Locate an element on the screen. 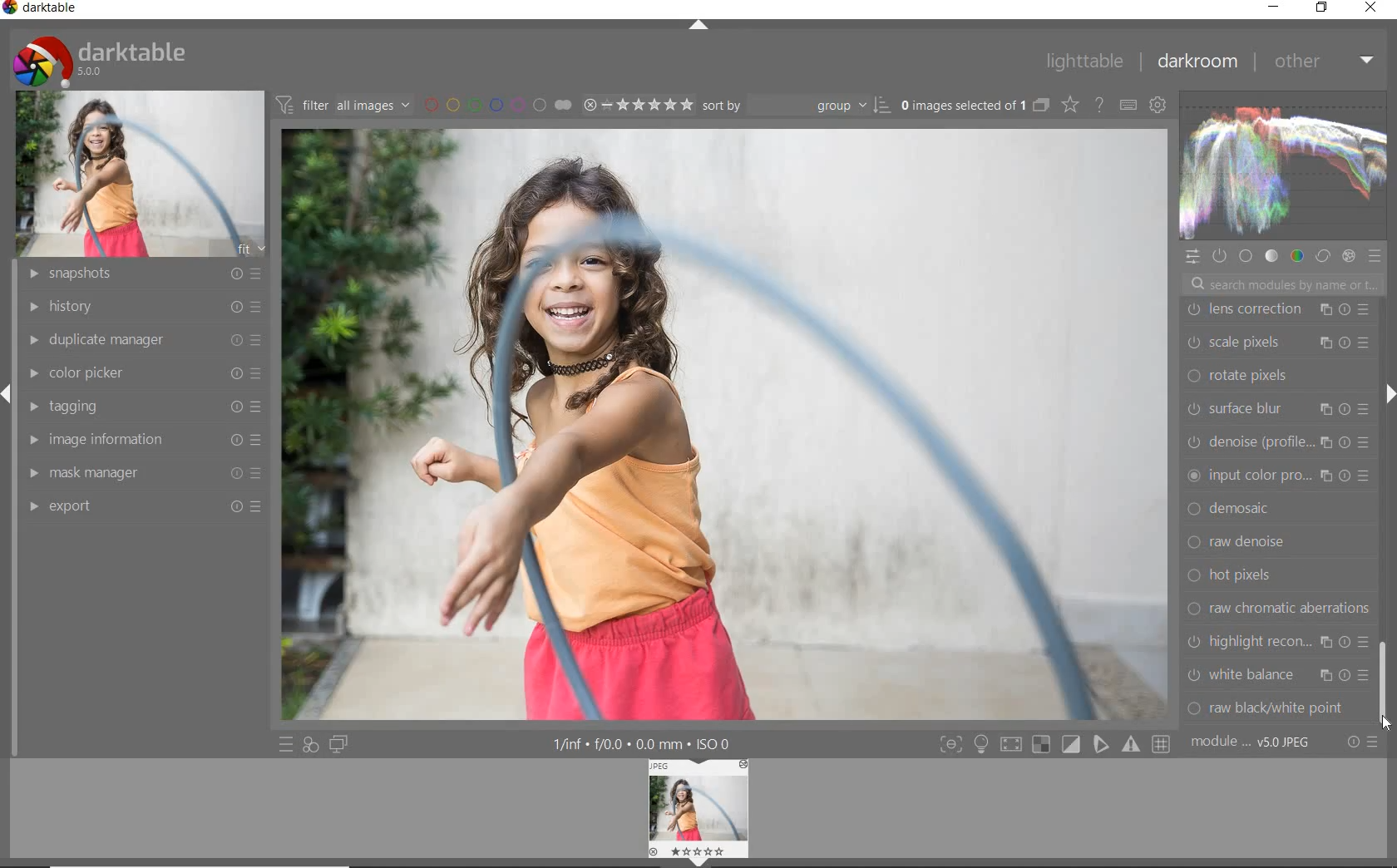 The image size is (1397, 868). reset or preset preference is located at coordinates (1363, 745).